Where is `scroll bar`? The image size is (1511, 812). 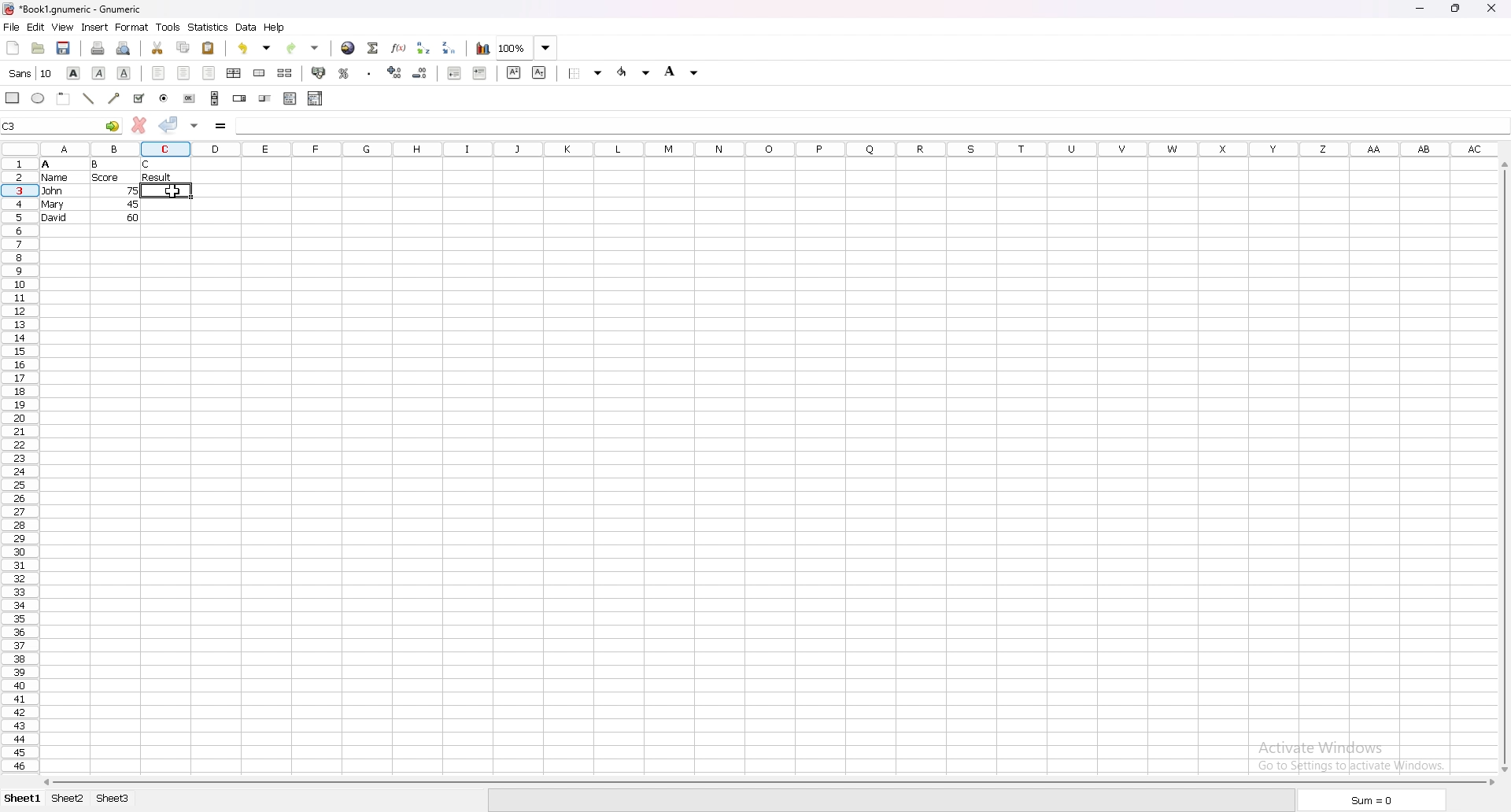 scroll bar is located at coordinates (1502, 467).